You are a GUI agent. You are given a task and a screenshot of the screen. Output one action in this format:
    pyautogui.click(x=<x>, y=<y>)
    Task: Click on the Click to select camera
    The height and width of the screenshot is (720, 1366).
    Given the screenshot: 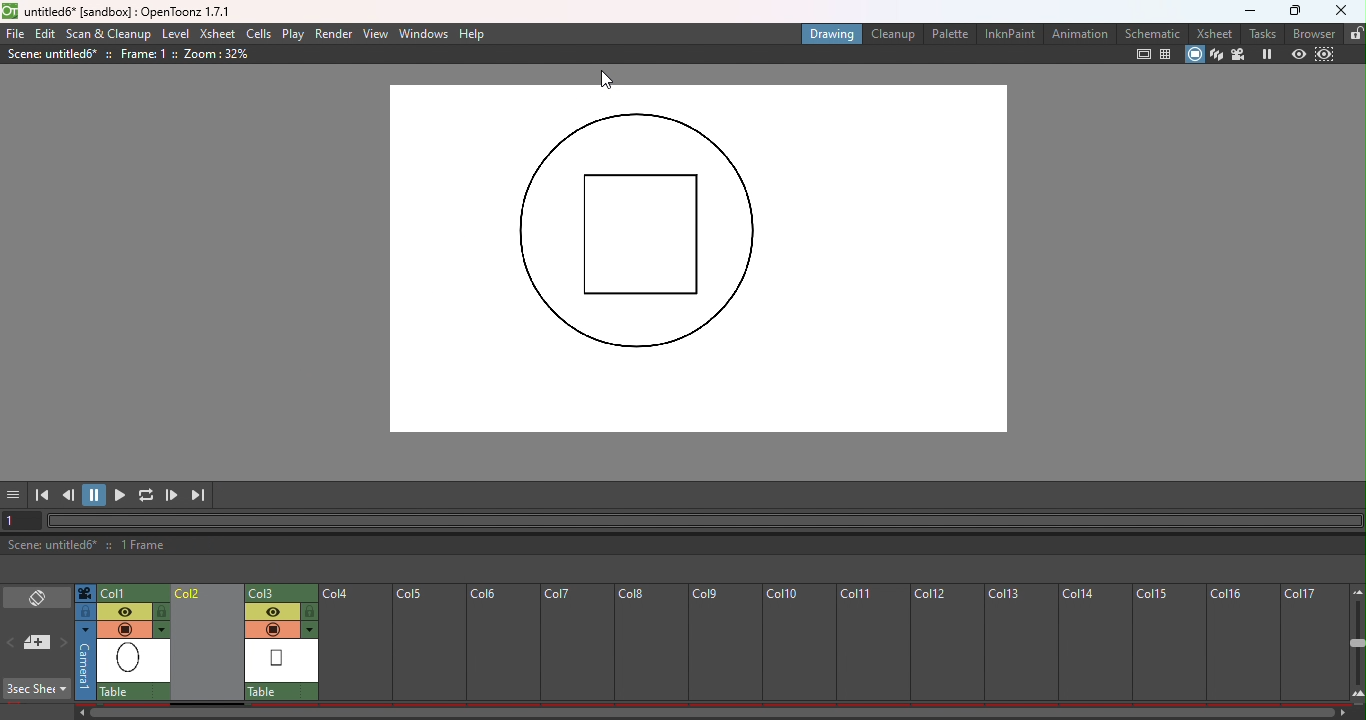 What is the action you would take?
    pyautogui.click(x=85, y=661)
    